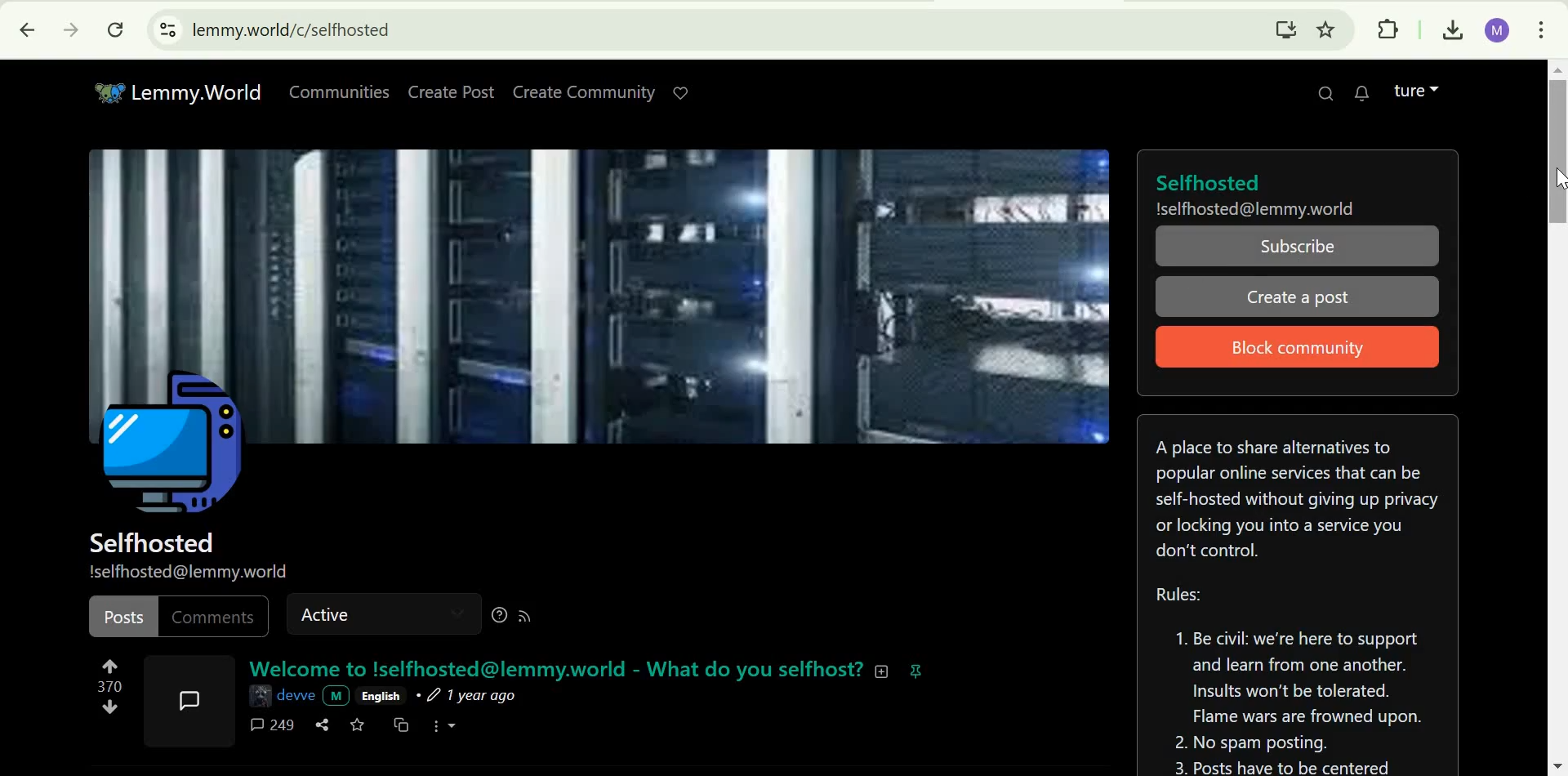 The height and width of the screenshot is (776, 1568). Describe the element at coordinates (171, 447) in the screenshot. I see `Community icon` at that location.